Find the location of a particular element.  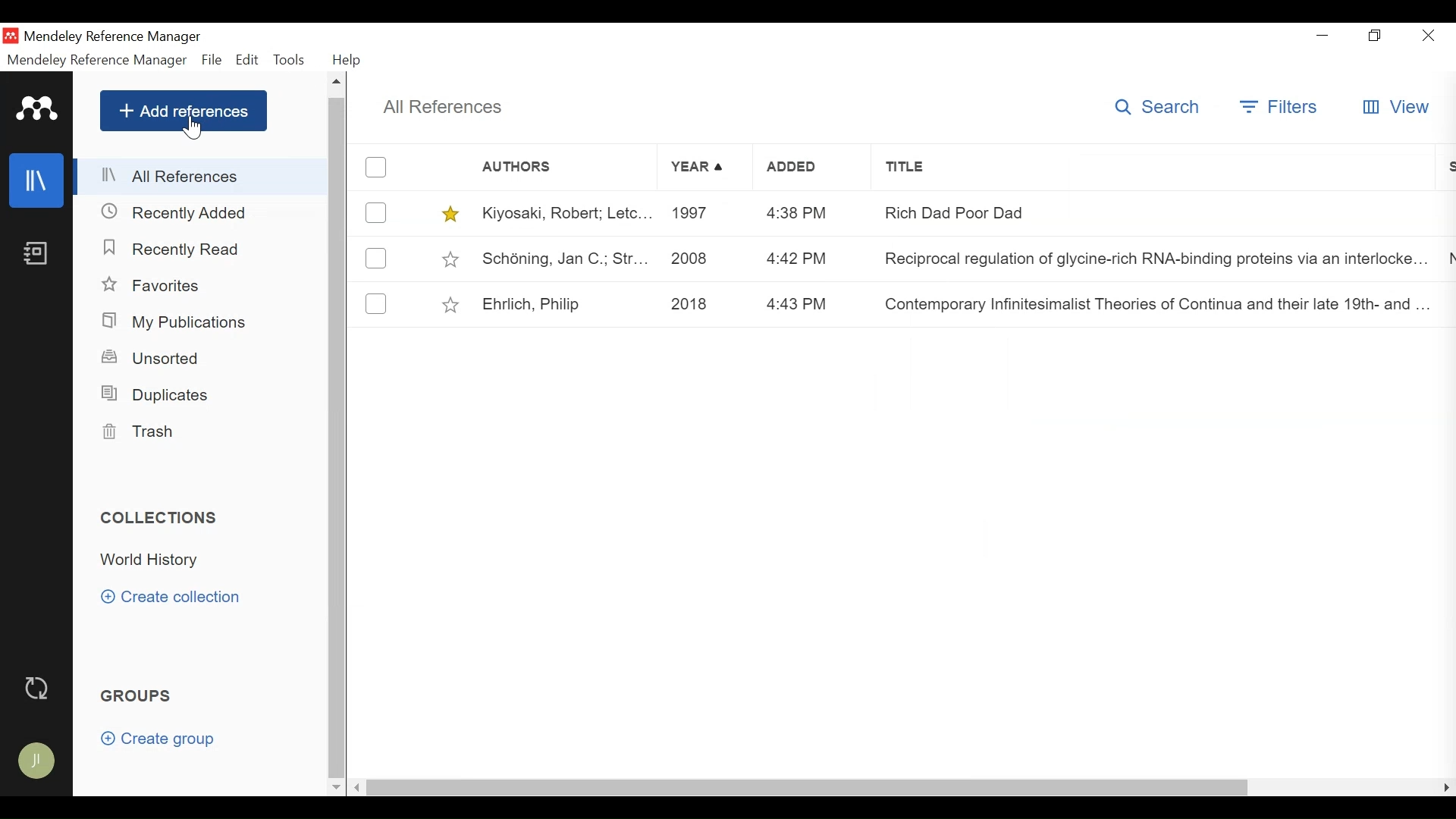

Create group is located at coordinates (161, 739).